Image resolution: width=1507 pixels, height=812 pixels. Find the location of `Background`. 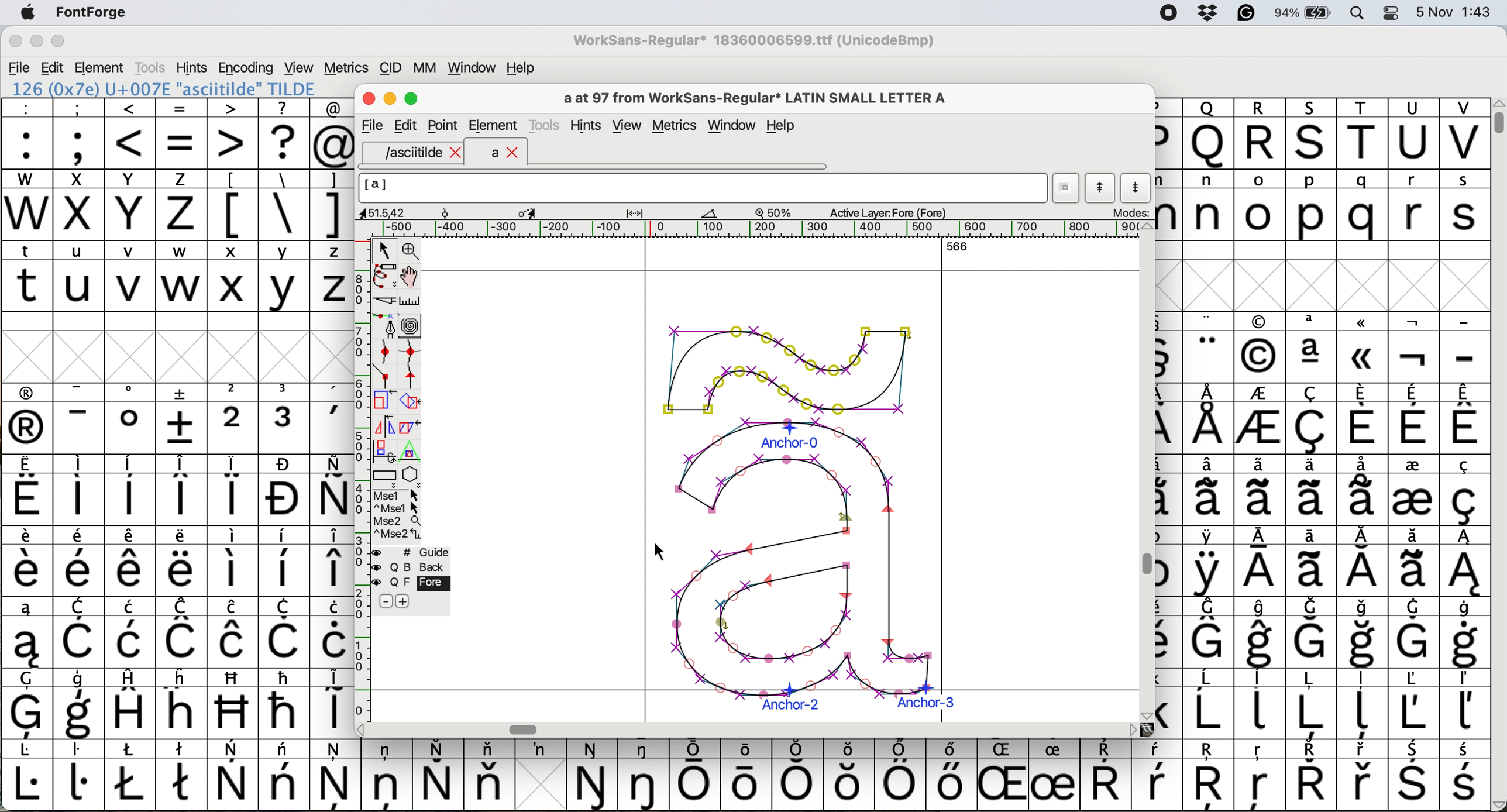

Background is located at coordinates (424, 567).